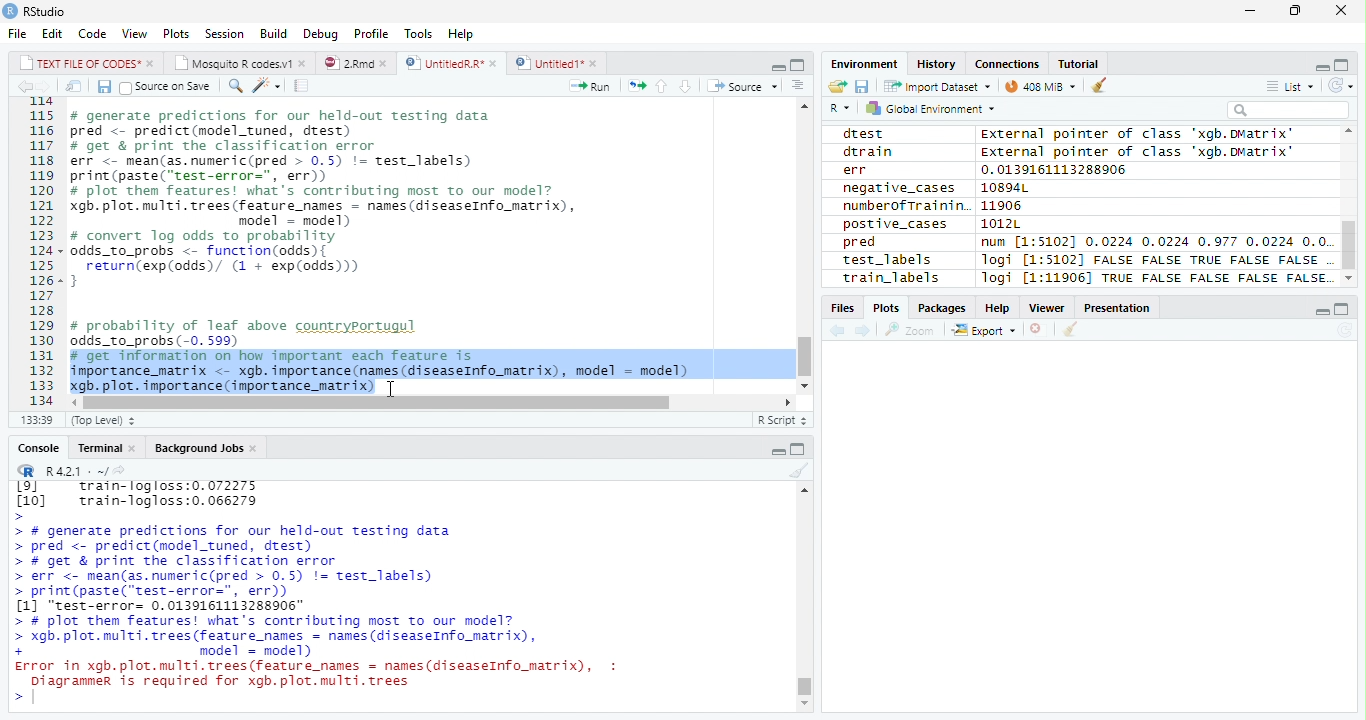 Image resolution: width=1366 pixels, height=720 pixels. What do you see at coordinates (854, 170) in the screenshot?
I see `err` at bounding box center [854, 170].